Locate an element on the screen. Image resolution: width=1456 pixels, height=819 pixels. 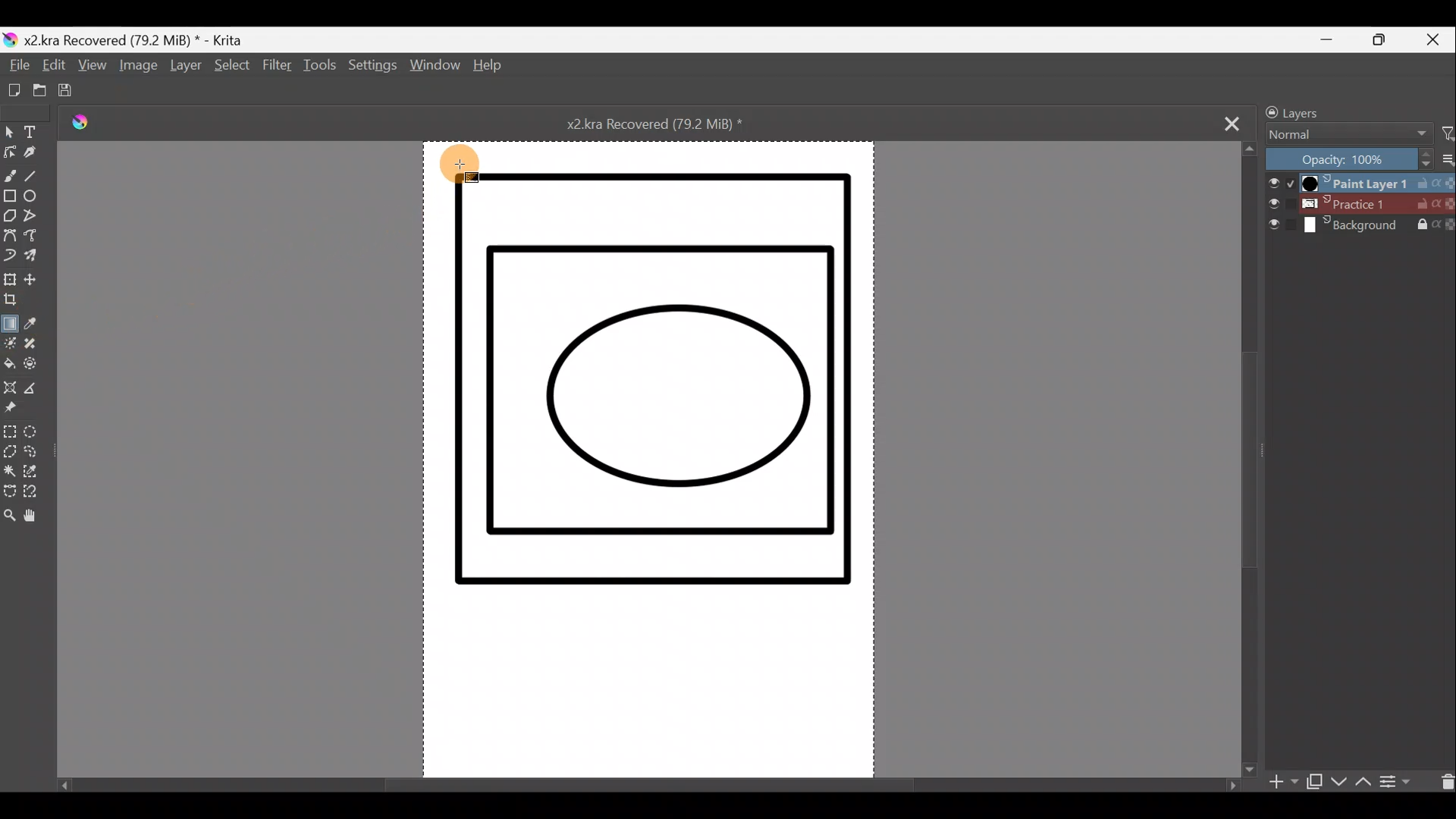
Freehand brush tool is located at coordinates (10, 175).